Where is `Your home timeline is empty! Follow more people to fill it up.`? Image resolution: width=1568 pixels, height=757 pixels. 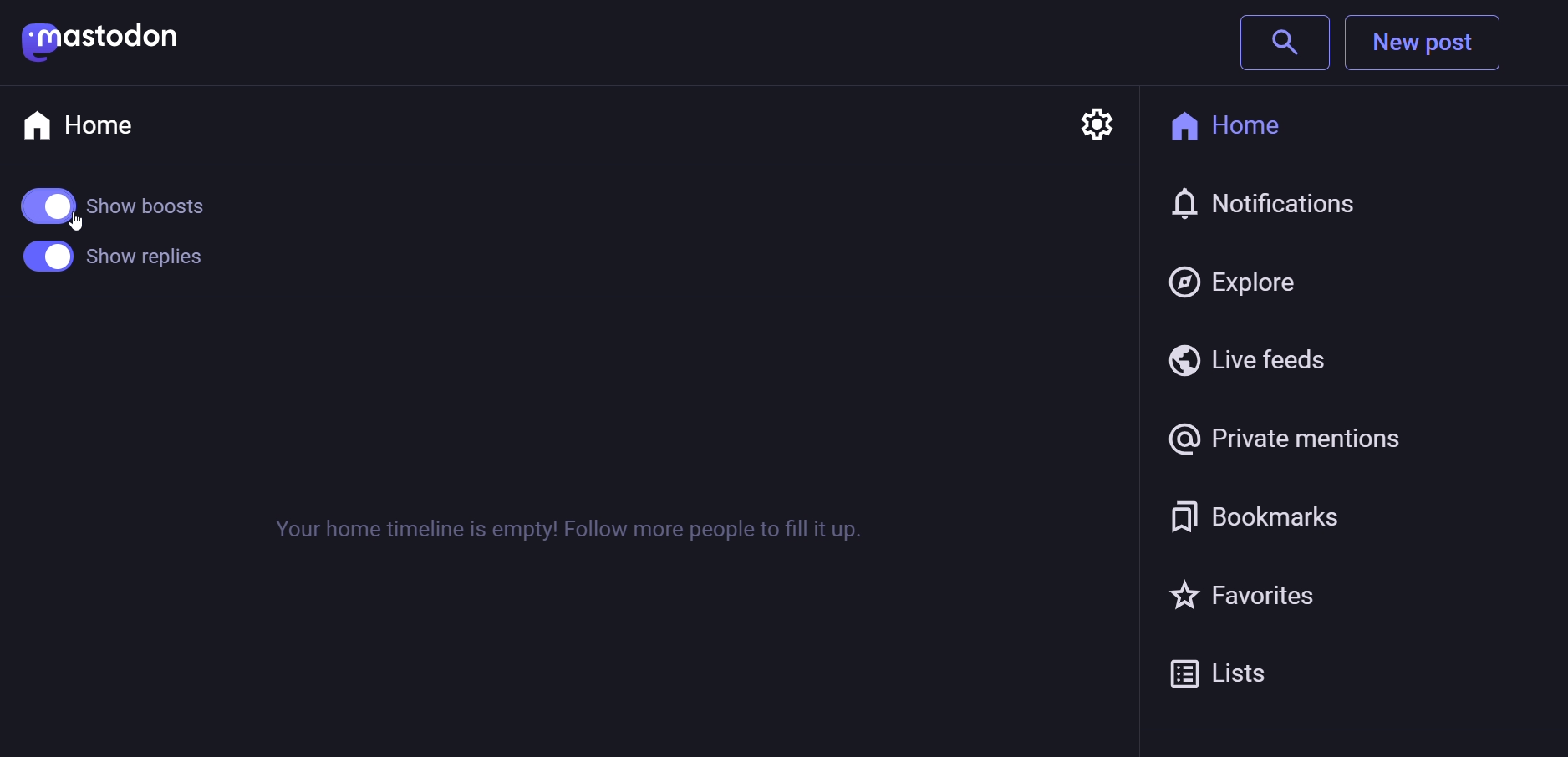 Your home timeline is empty! Follow more people to fill it up. is located at coordinates (570, 530).